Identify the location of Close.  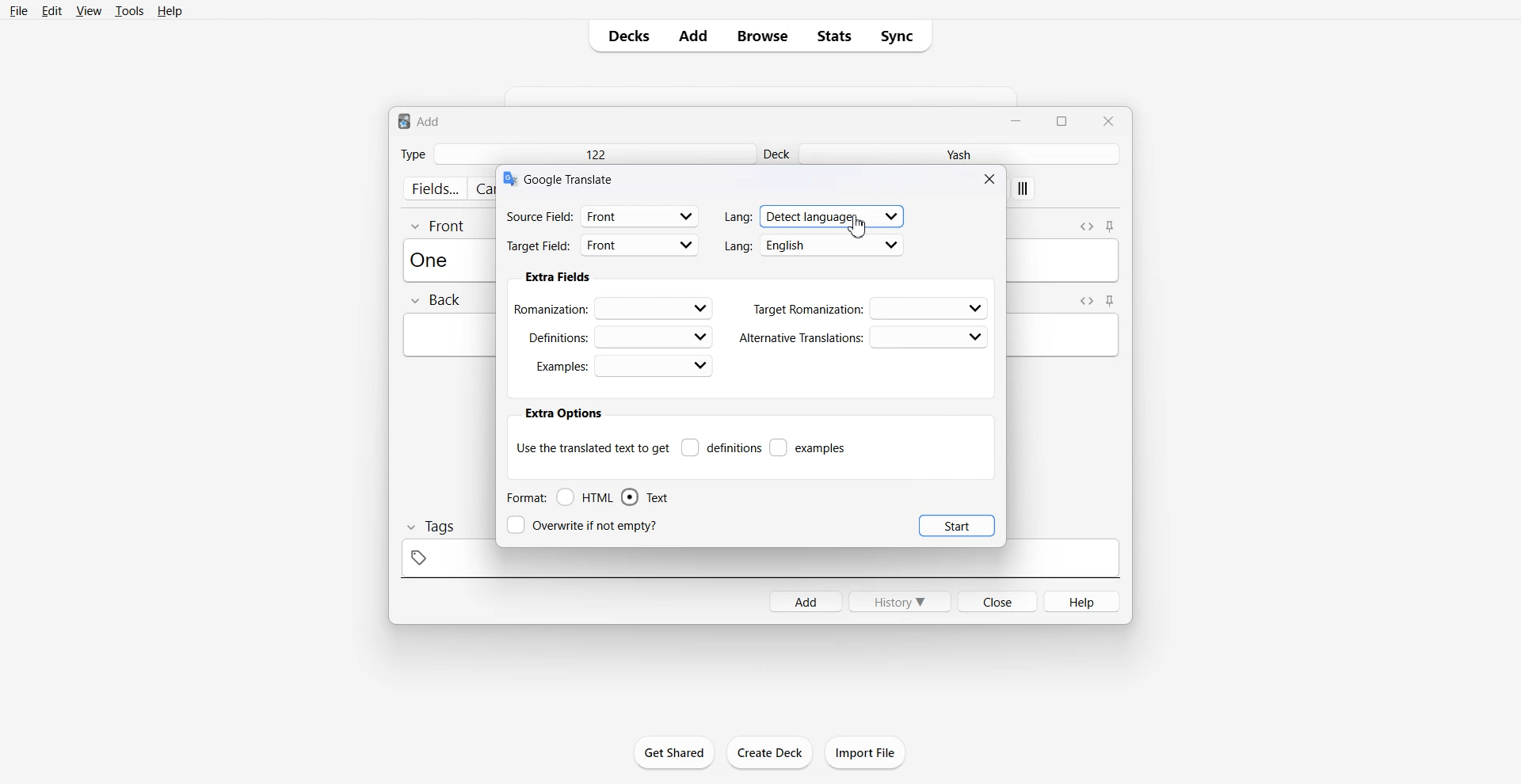
(997, 600).